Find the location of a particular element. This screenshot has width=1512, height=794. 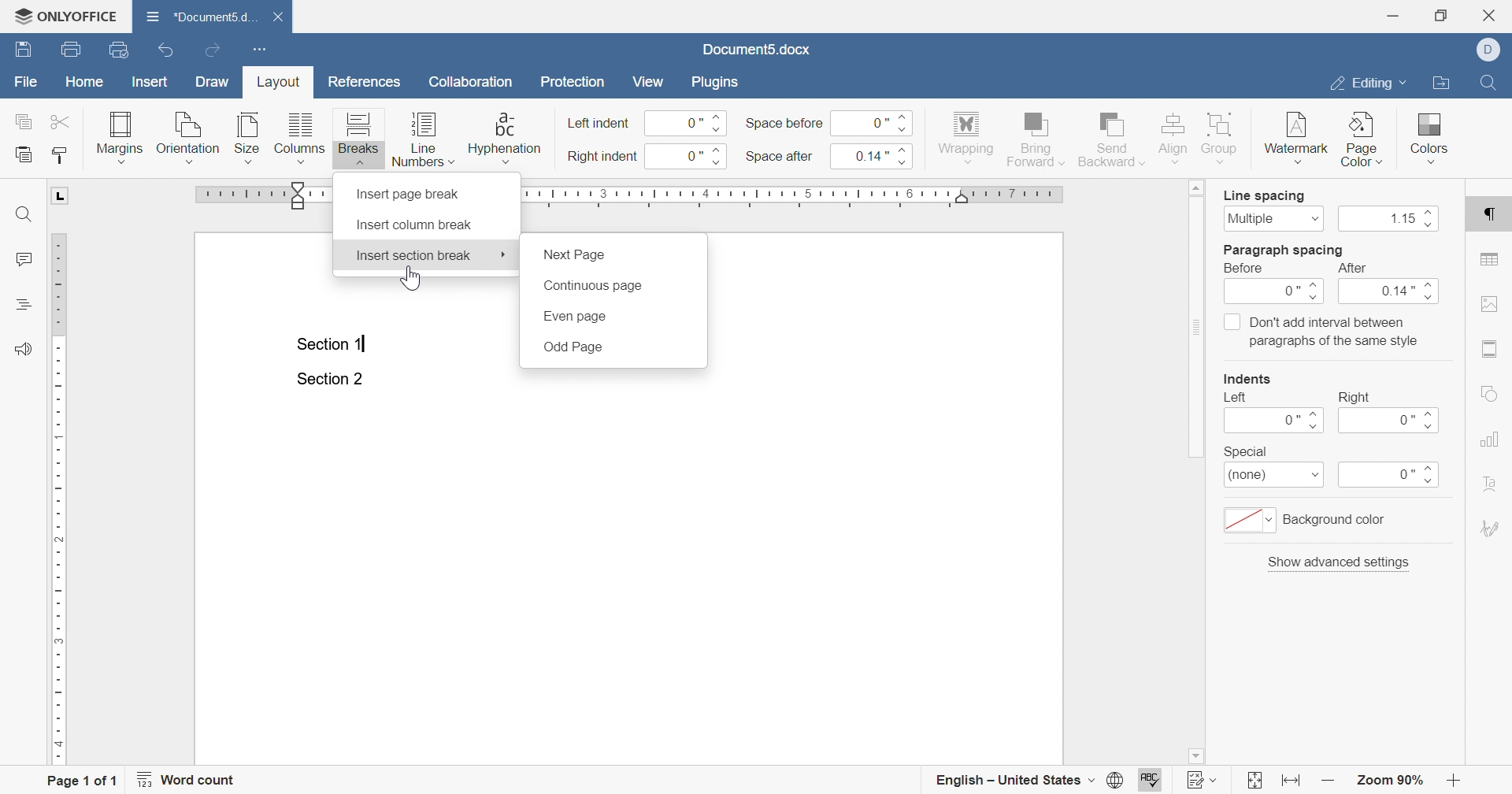

references is located at coordinates (365, 82).